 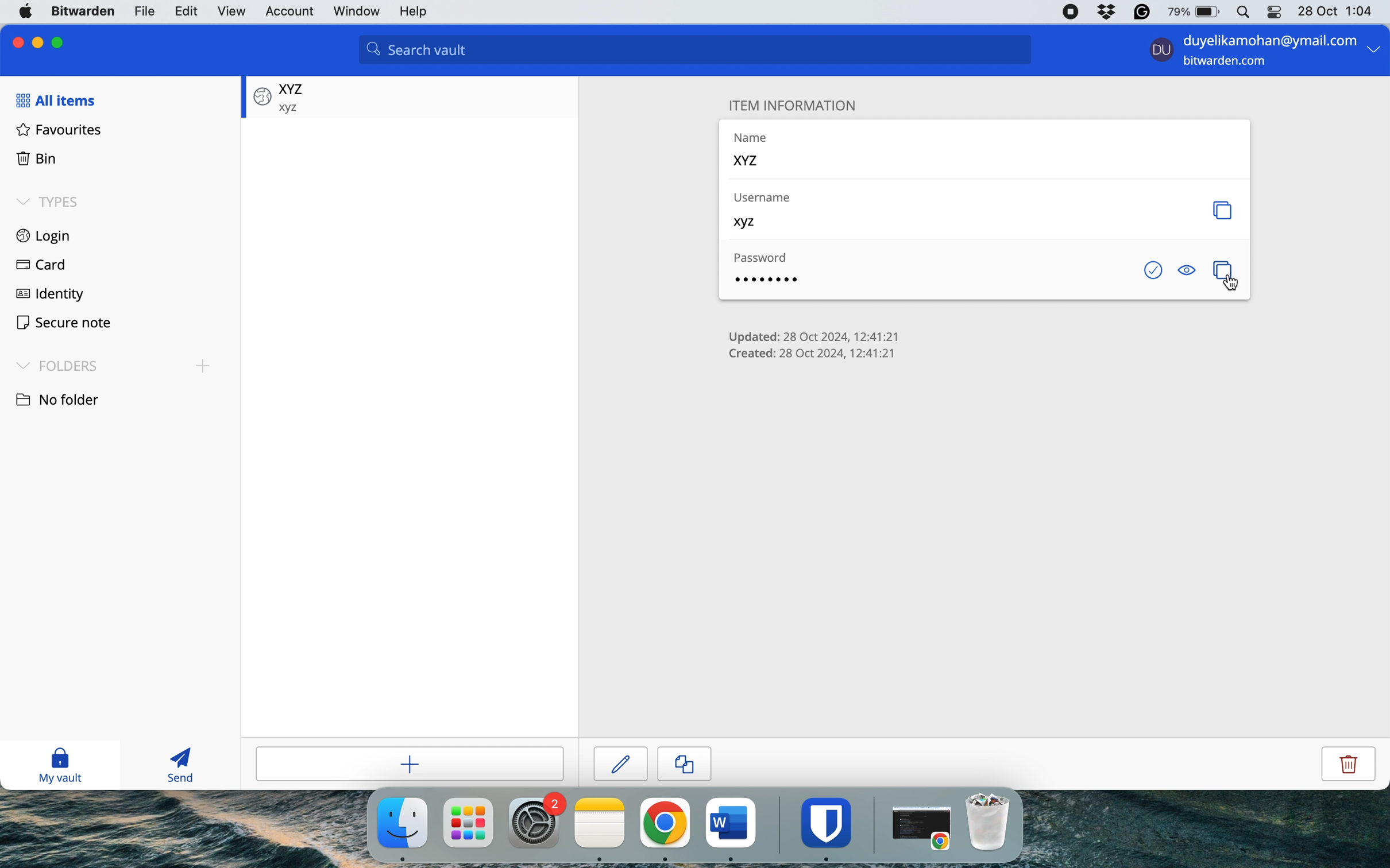 What do you see at coordinates (731, 822) in the screenshot?
I see `ms word` at bounding box center [731, 822].